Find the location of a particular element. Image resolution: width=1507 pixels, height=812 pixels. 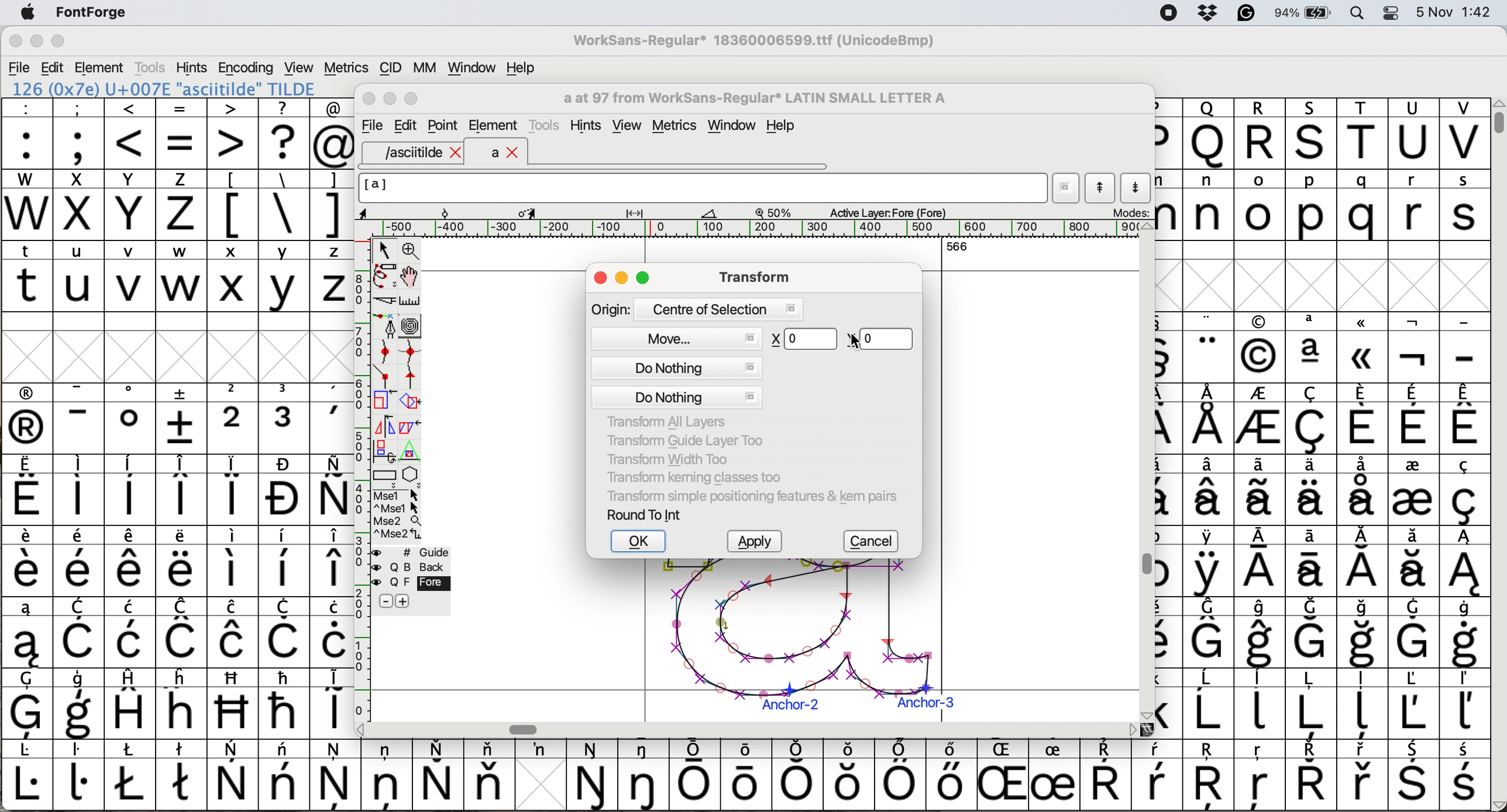

symbol is located at coordinates (646, 775).